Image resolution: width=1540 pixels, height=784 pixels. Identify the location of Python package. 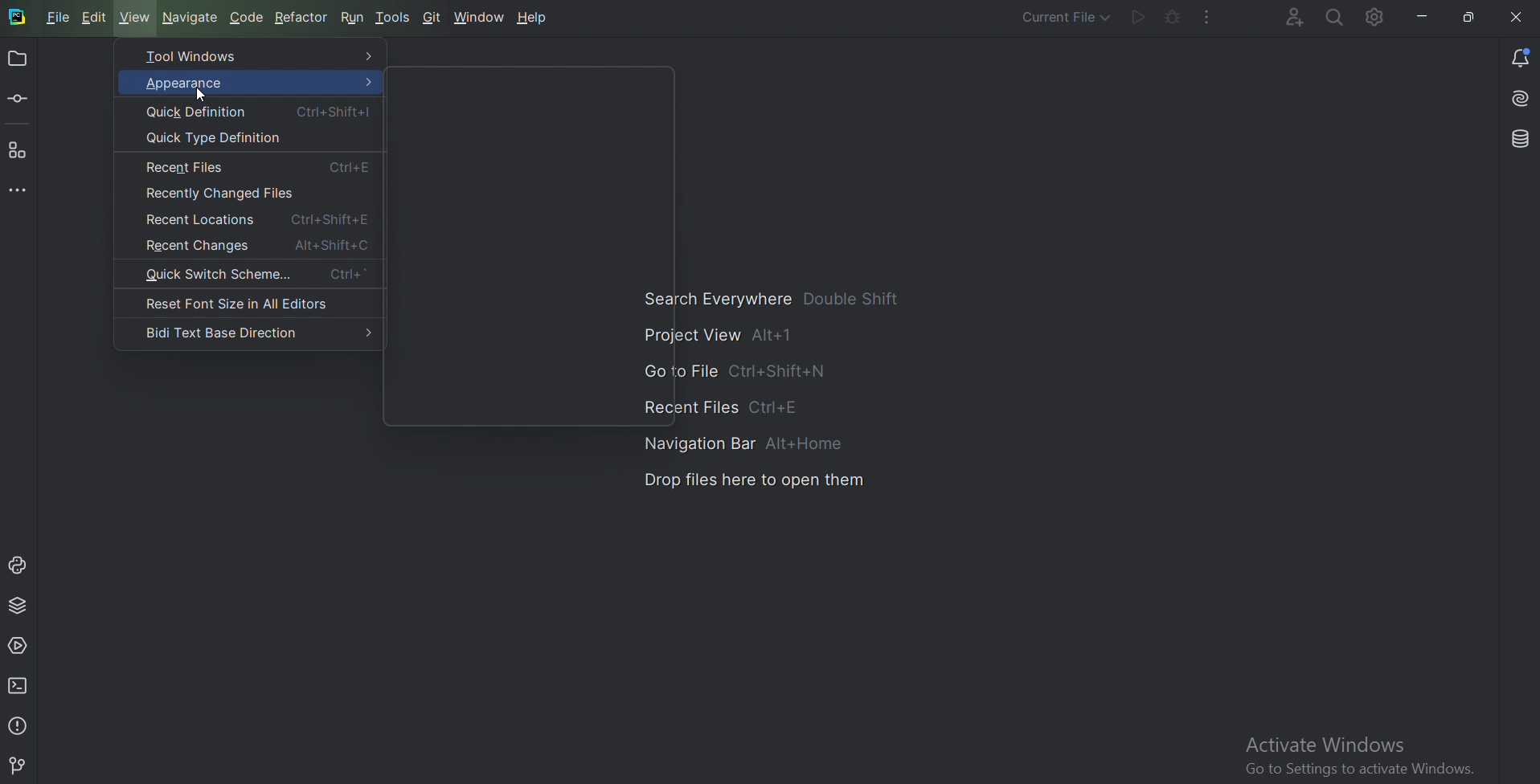
(18, 604).